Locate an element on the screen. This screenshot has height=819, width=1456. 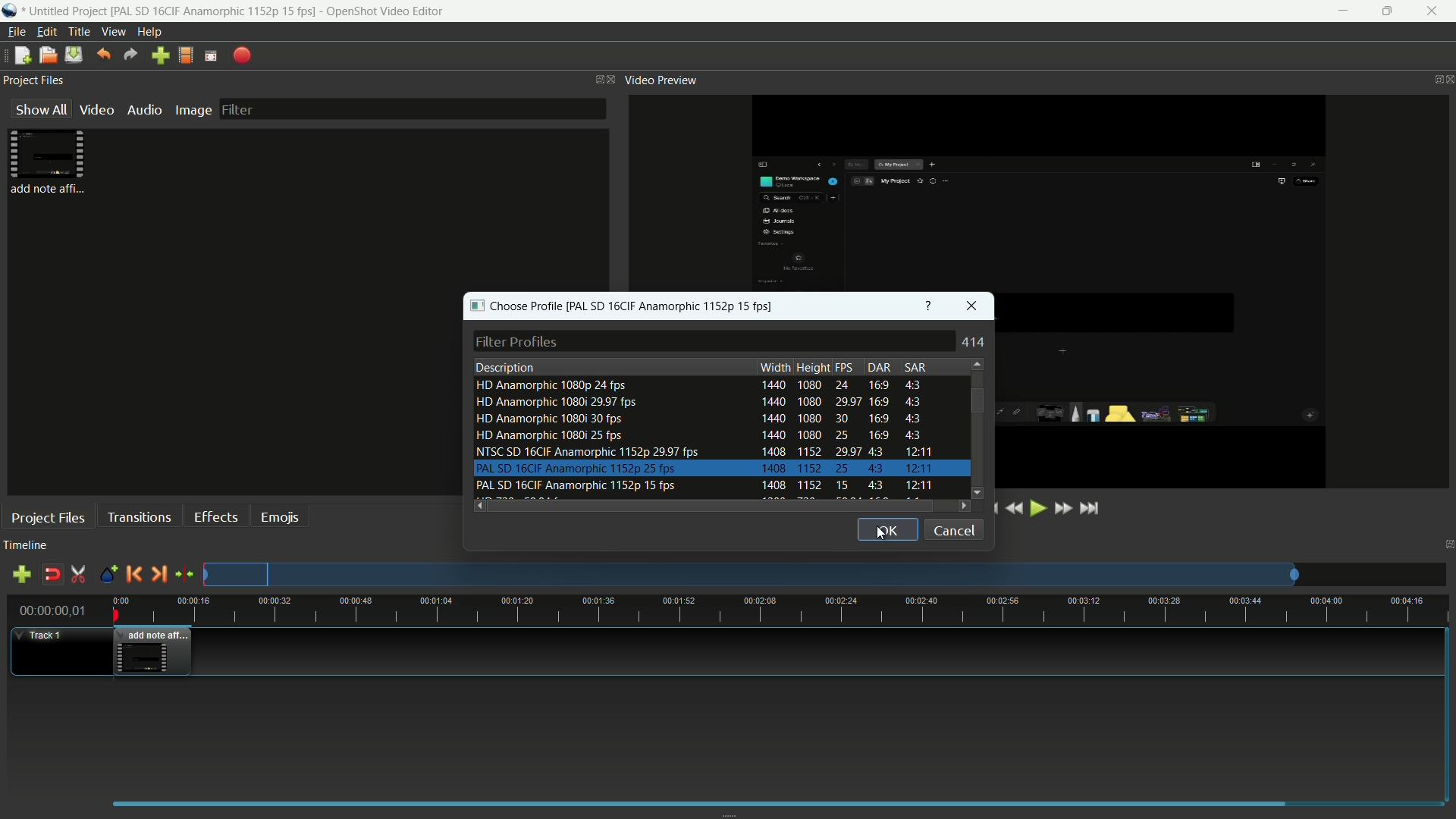
next marker is located at coordinates (157, 573).